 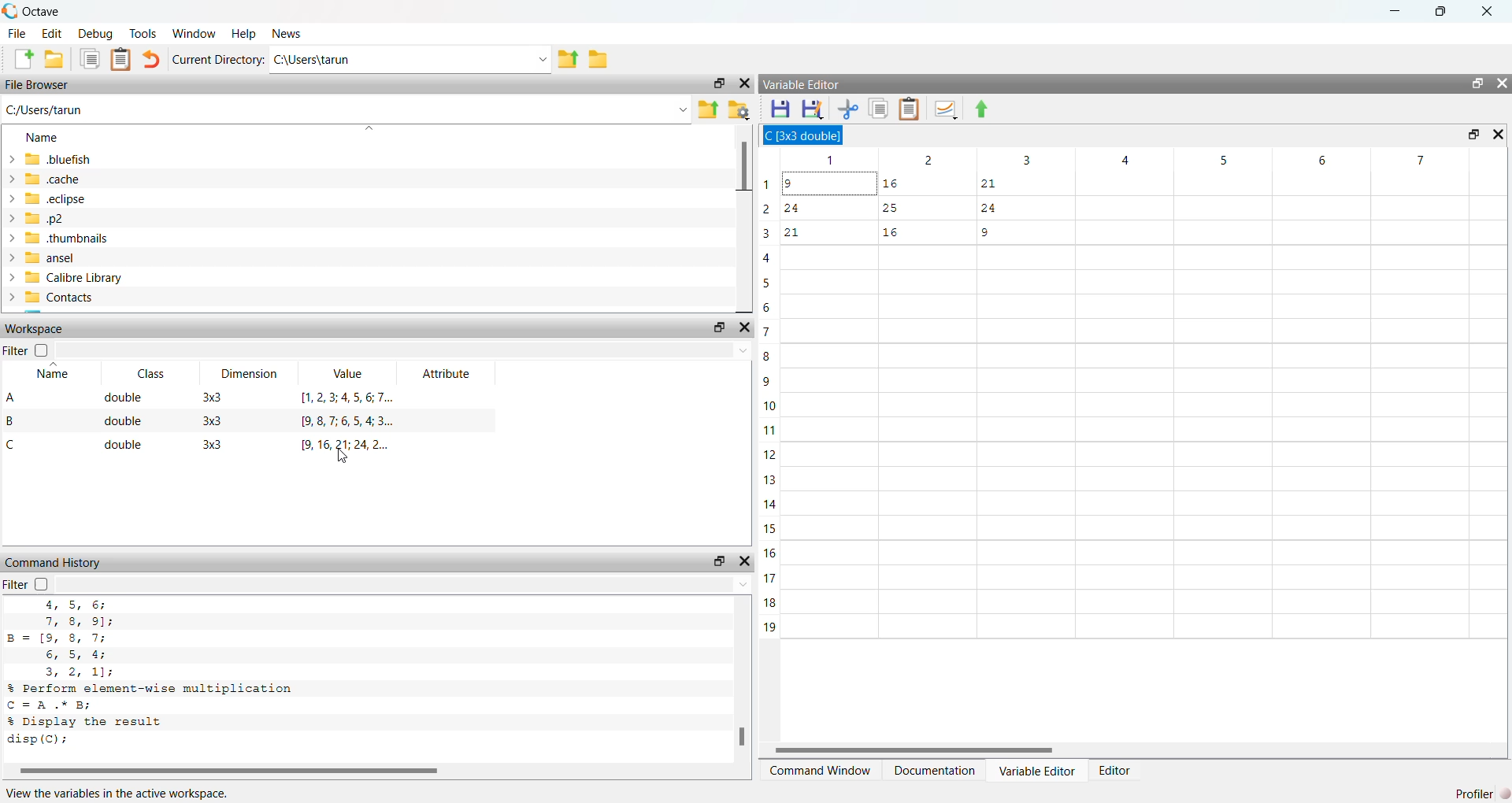 I want to click on C:\Users\tarun , so click(x=409, y=60).